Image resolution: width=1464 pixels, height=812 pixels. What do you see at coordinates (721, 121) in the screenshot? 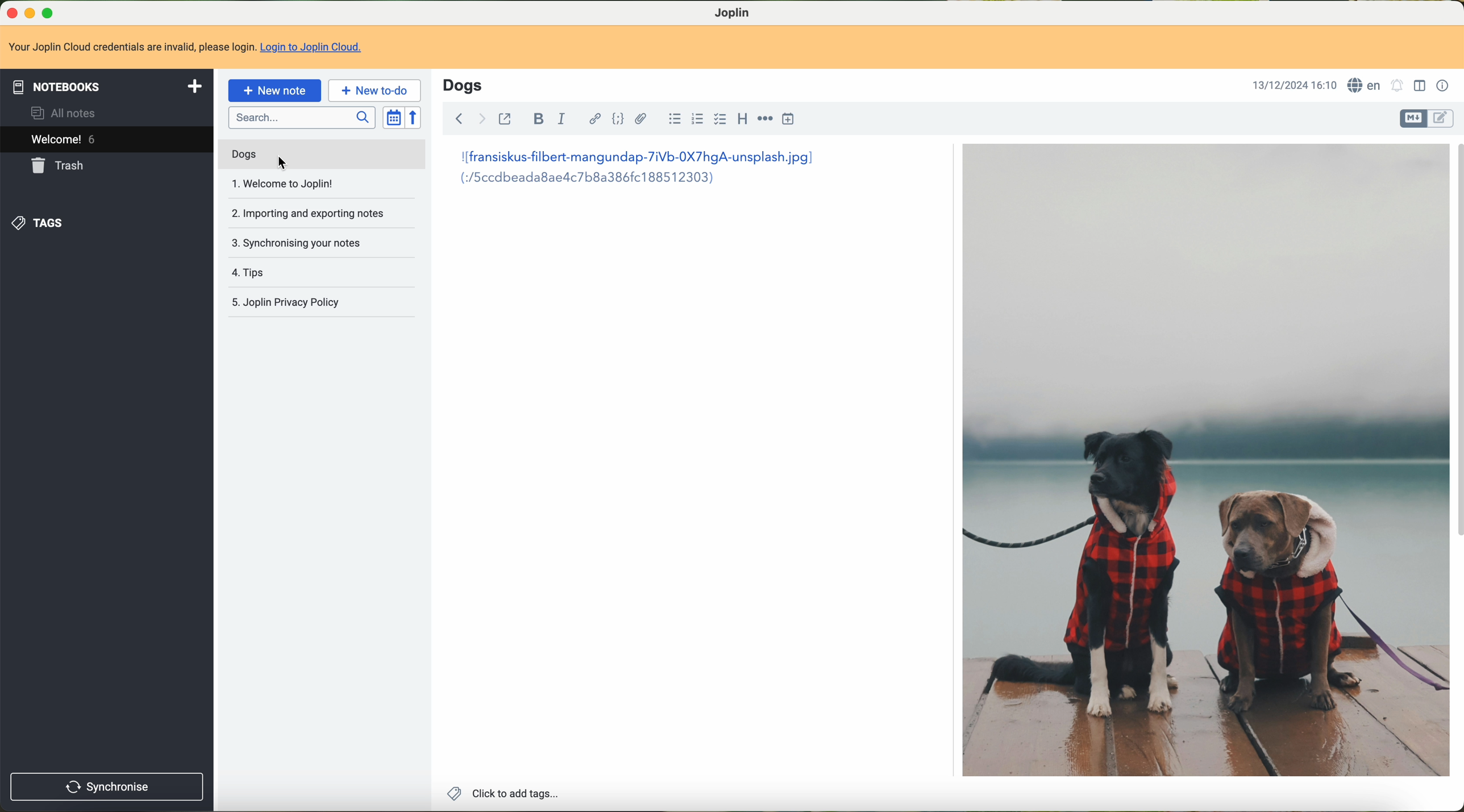
I see `checkbox` at bounding box center [721, 121].